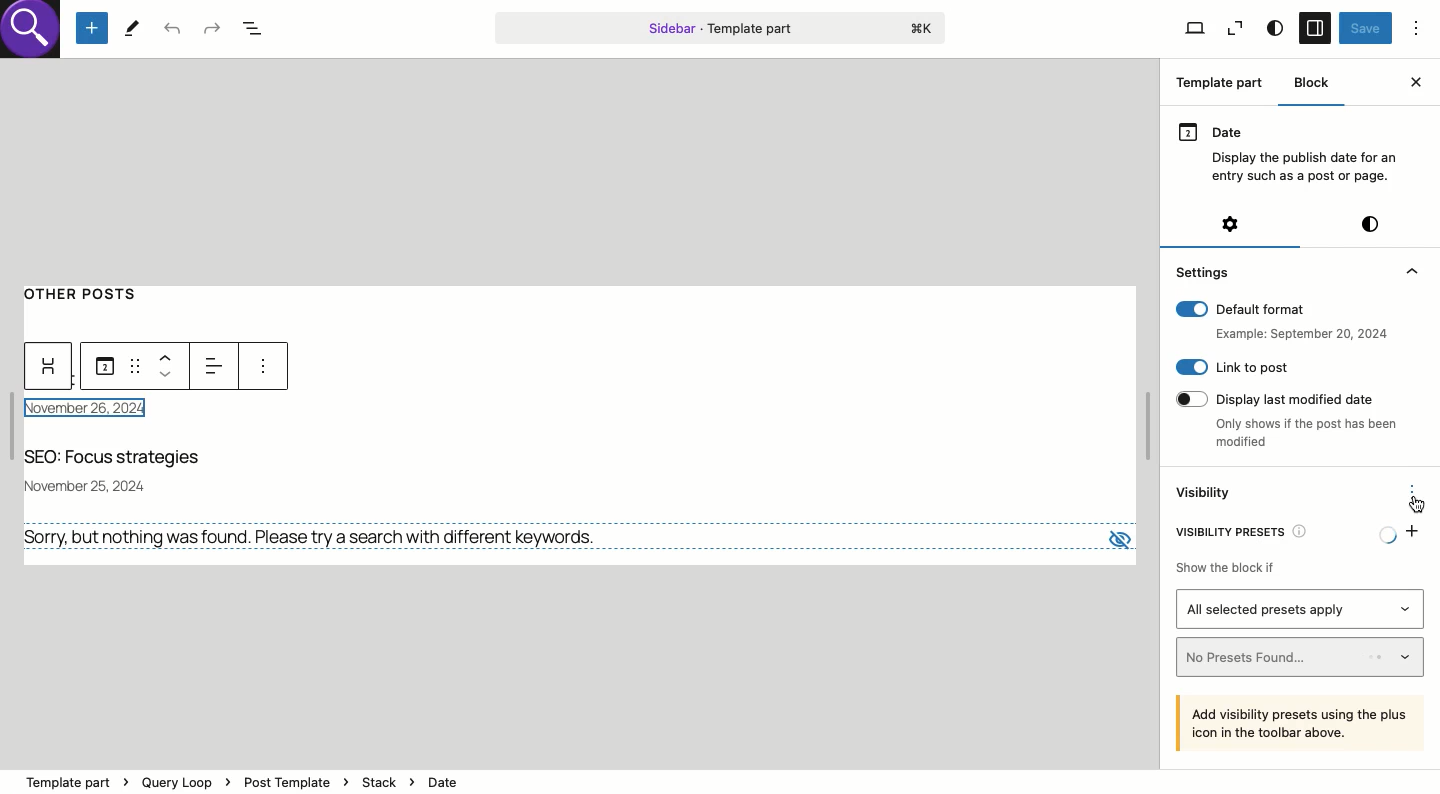 This screenshot has height=794, width=1440. I want to click on Add, so click(1413, 529).